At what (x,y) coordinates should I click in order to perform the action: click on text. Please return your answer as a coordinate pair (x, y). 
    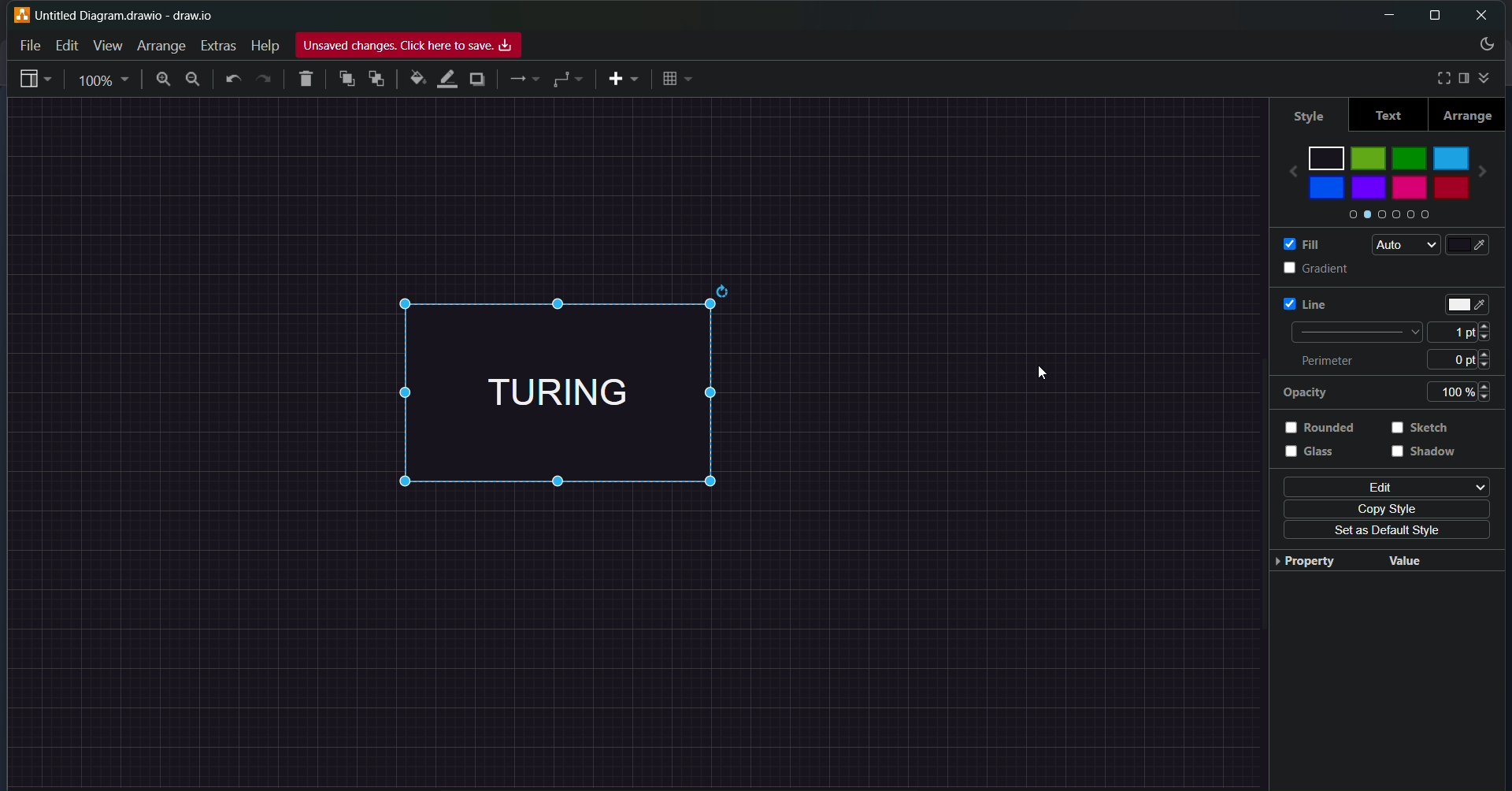
    Looking at the image, I should click on (1388, 115).